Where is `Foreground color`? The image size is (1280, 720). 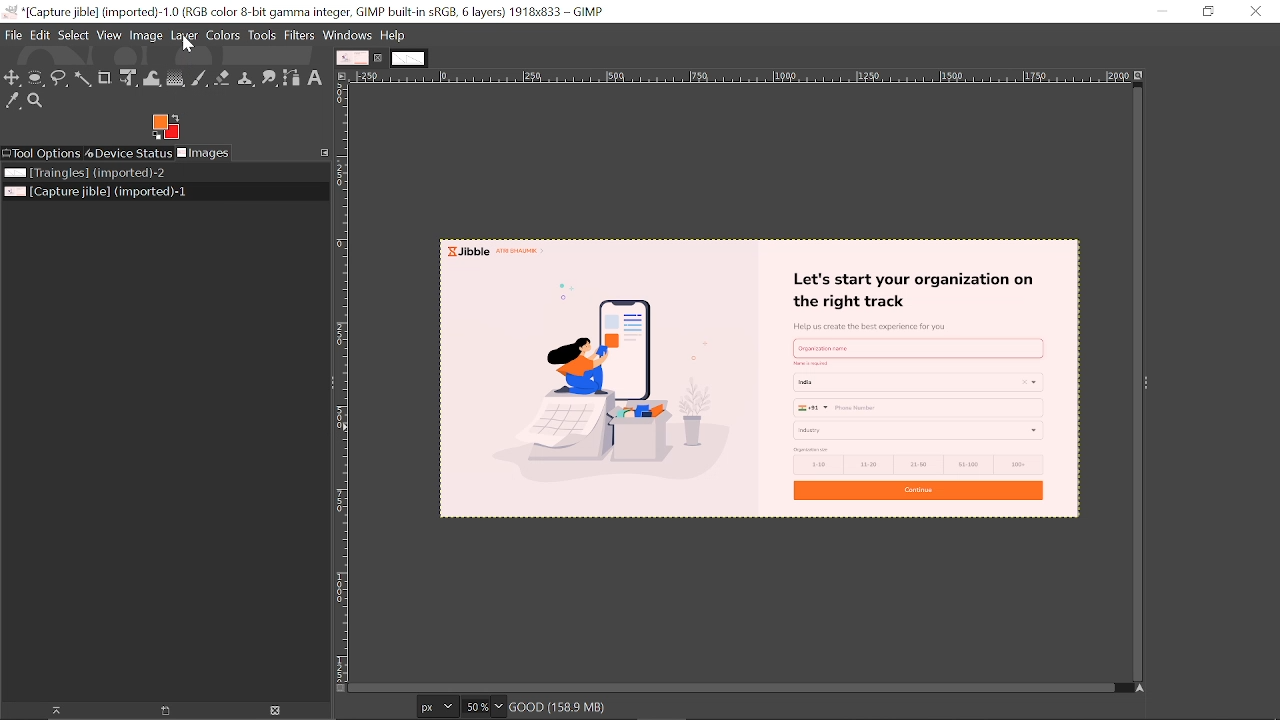
Foreground color is located at coordinates (165, 127).